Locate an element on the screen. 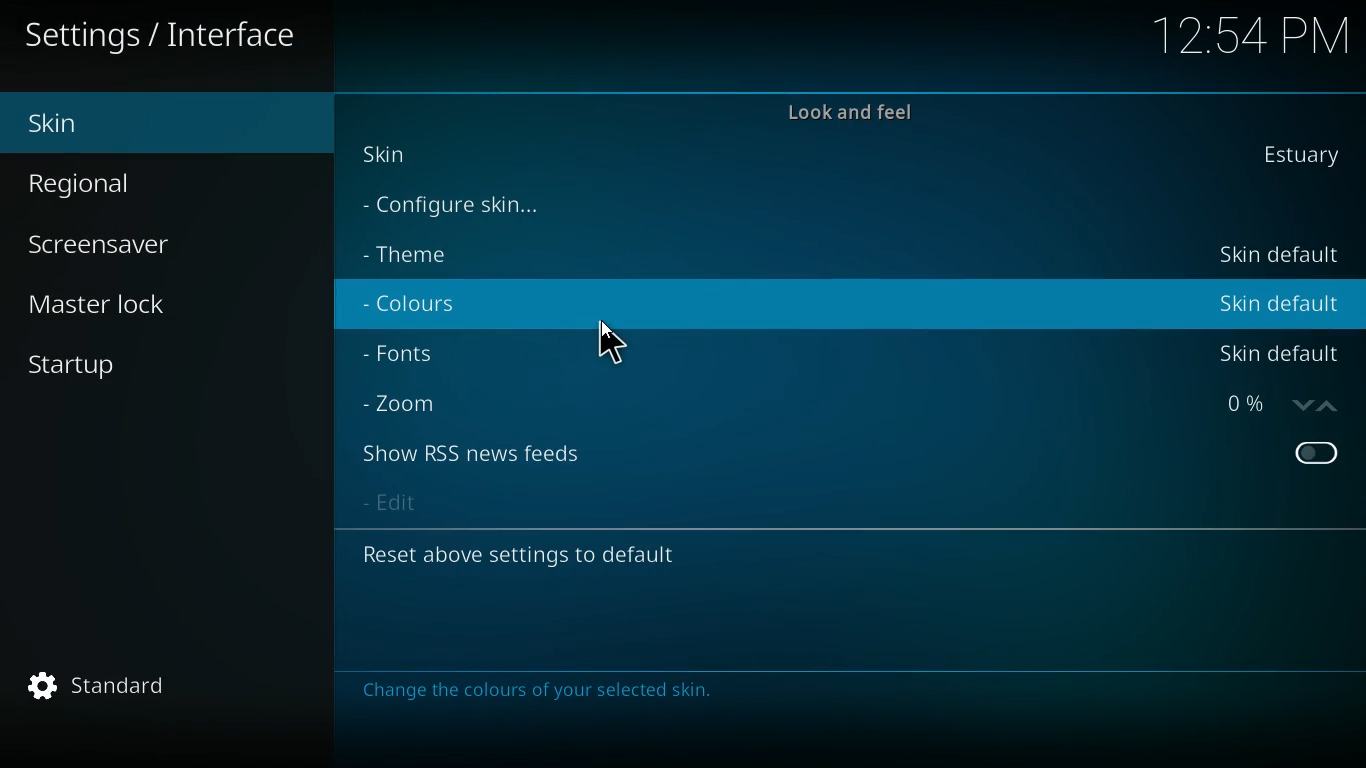 This screenshot has height=768, width=1366. look and feel is located at coordinates (855, 109).